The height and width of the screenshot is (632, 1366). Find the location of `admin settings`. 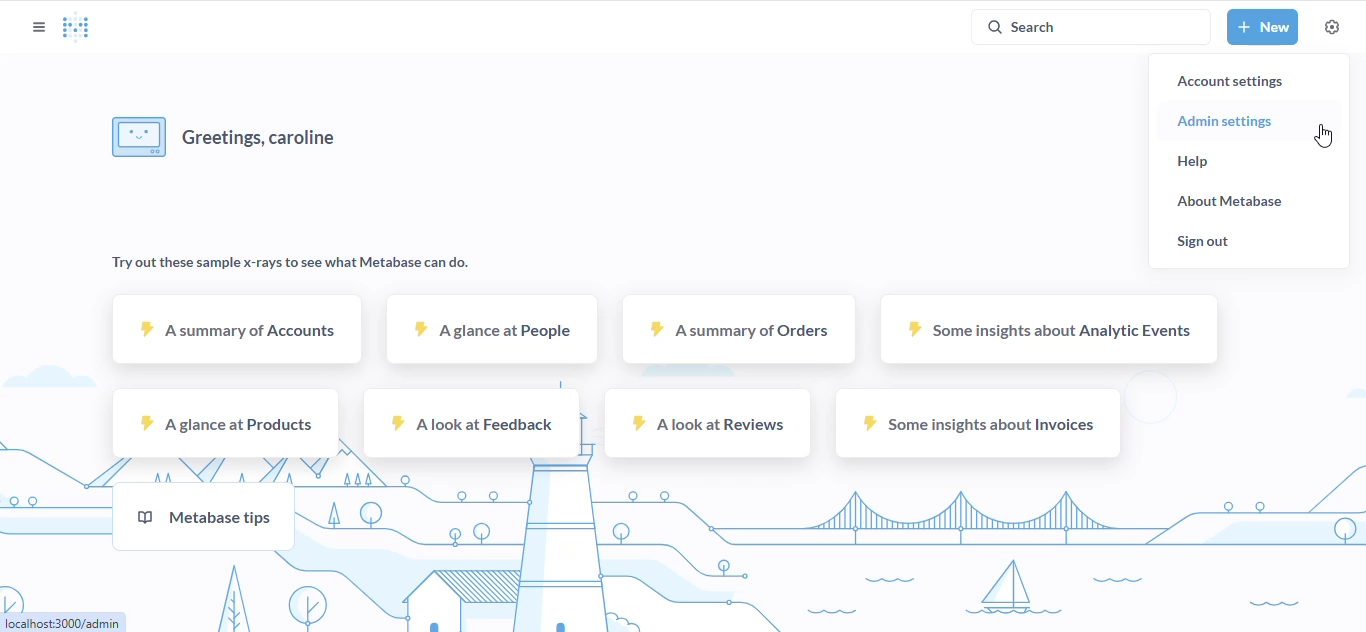

admin settings is located at coordinates (1225, 122).